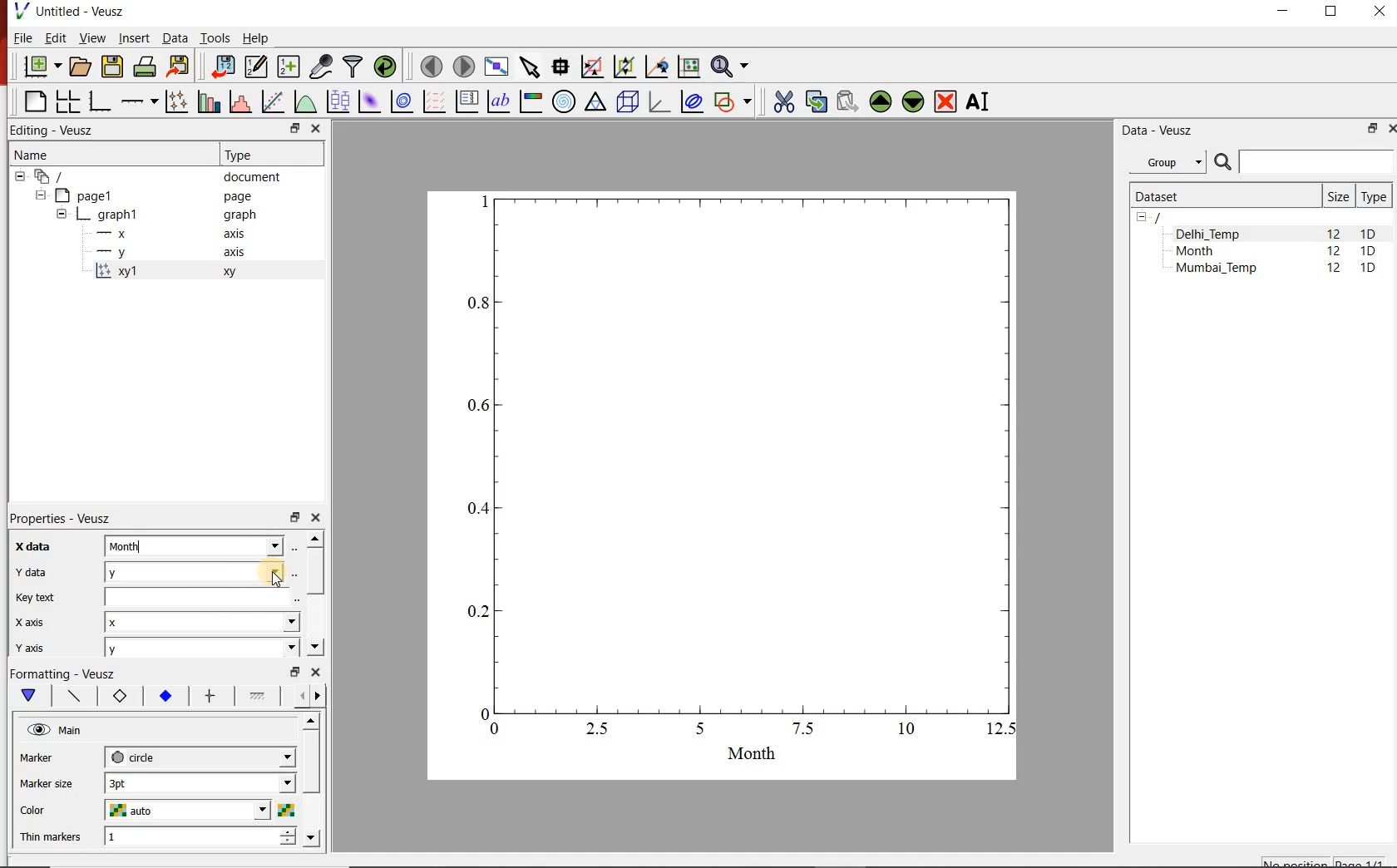 The width and height of the screenshot is (1397, 868). What do you see at coordinates (272, 101) in the screenshot?
I see `fit a function to data` at bounding box center [272, 101].